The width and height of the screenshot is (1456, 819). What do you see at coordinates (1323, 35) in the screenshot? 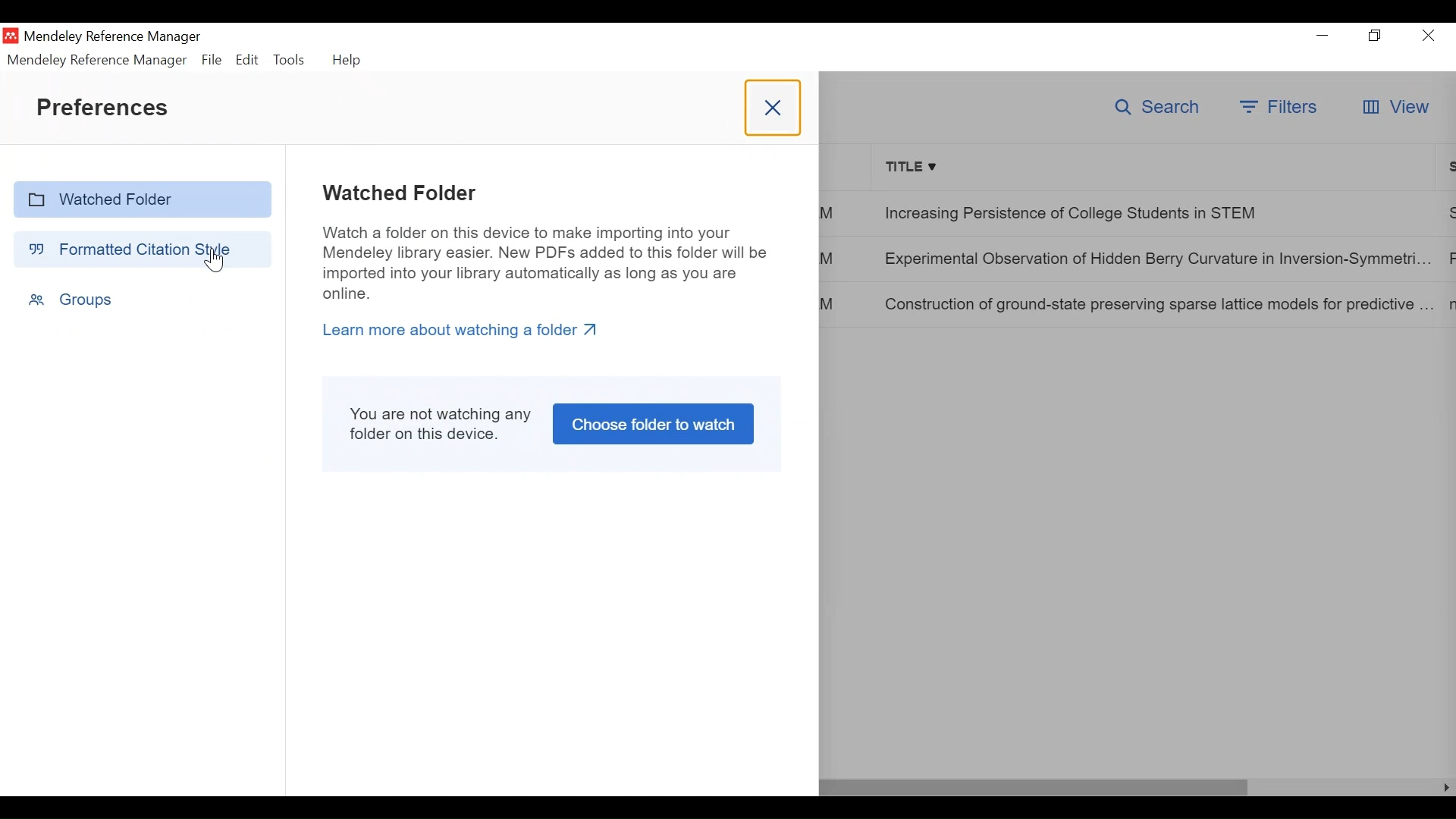
I see `Minimize` at bounding box center [1323, 35].